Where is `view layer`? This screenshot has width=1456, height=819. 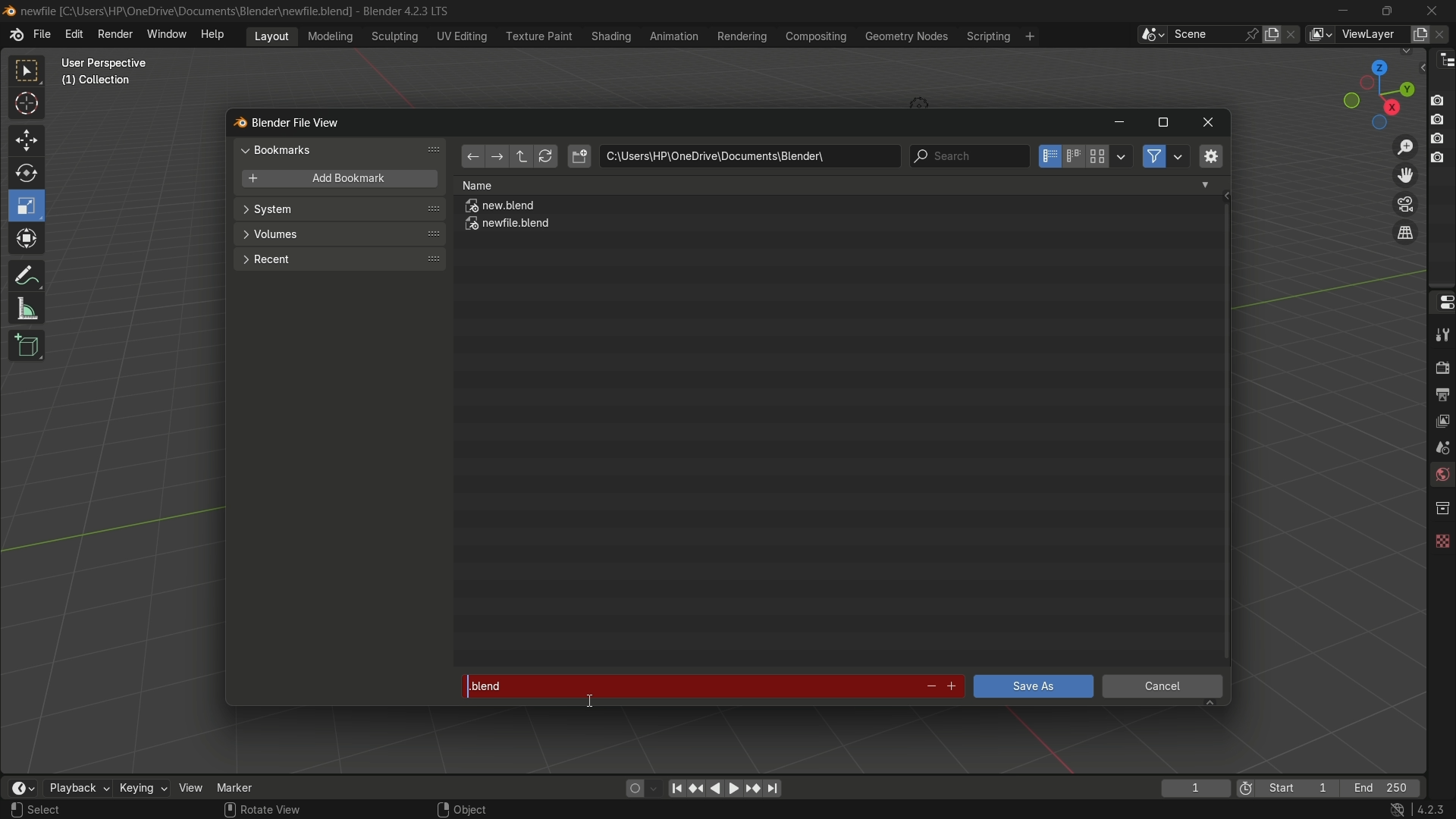
view layer is located at coordinates (1441, 419).